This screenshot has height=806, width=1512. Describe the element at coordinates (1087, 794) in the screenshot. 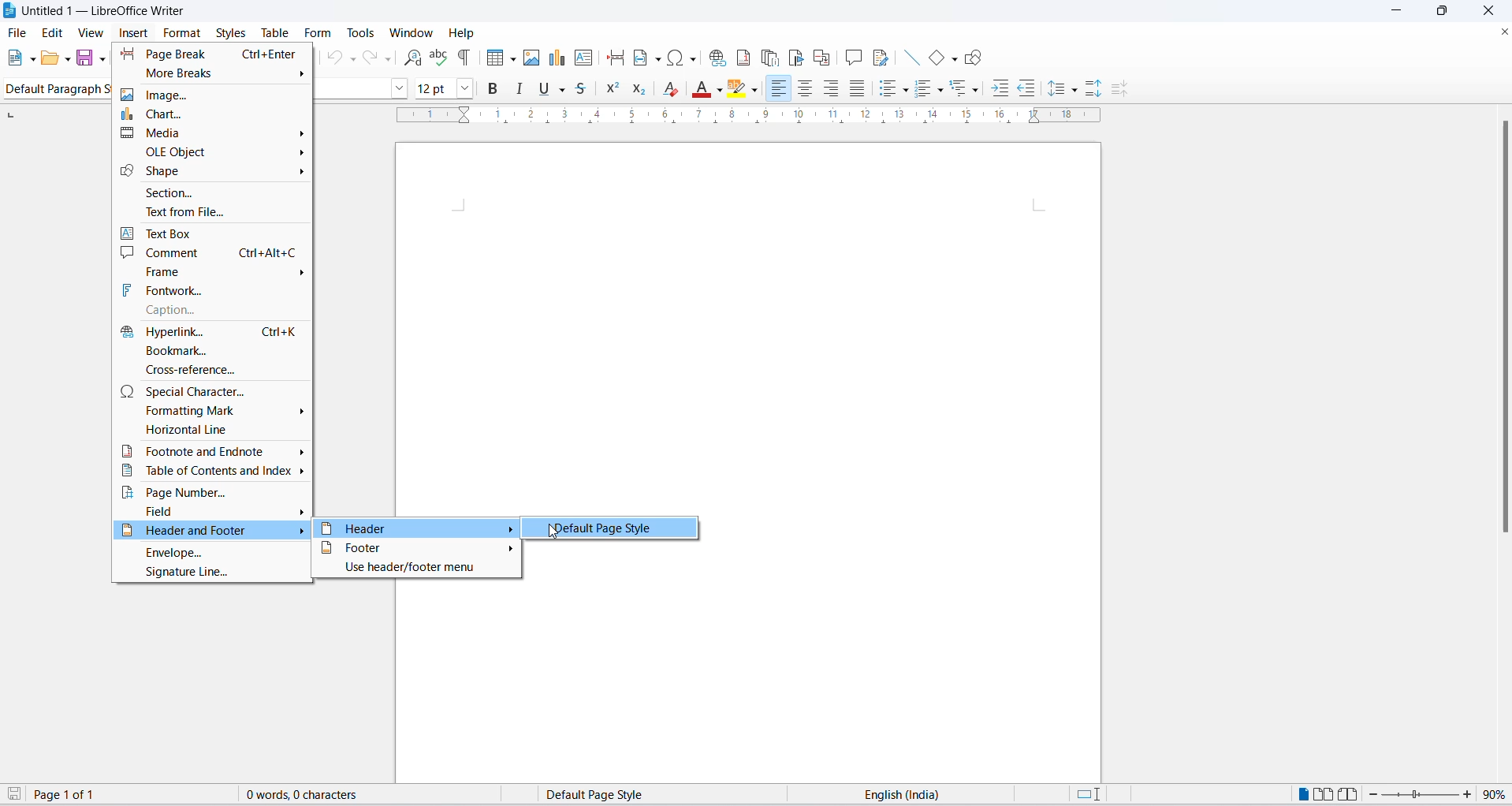

I see `standard selection` at that location.